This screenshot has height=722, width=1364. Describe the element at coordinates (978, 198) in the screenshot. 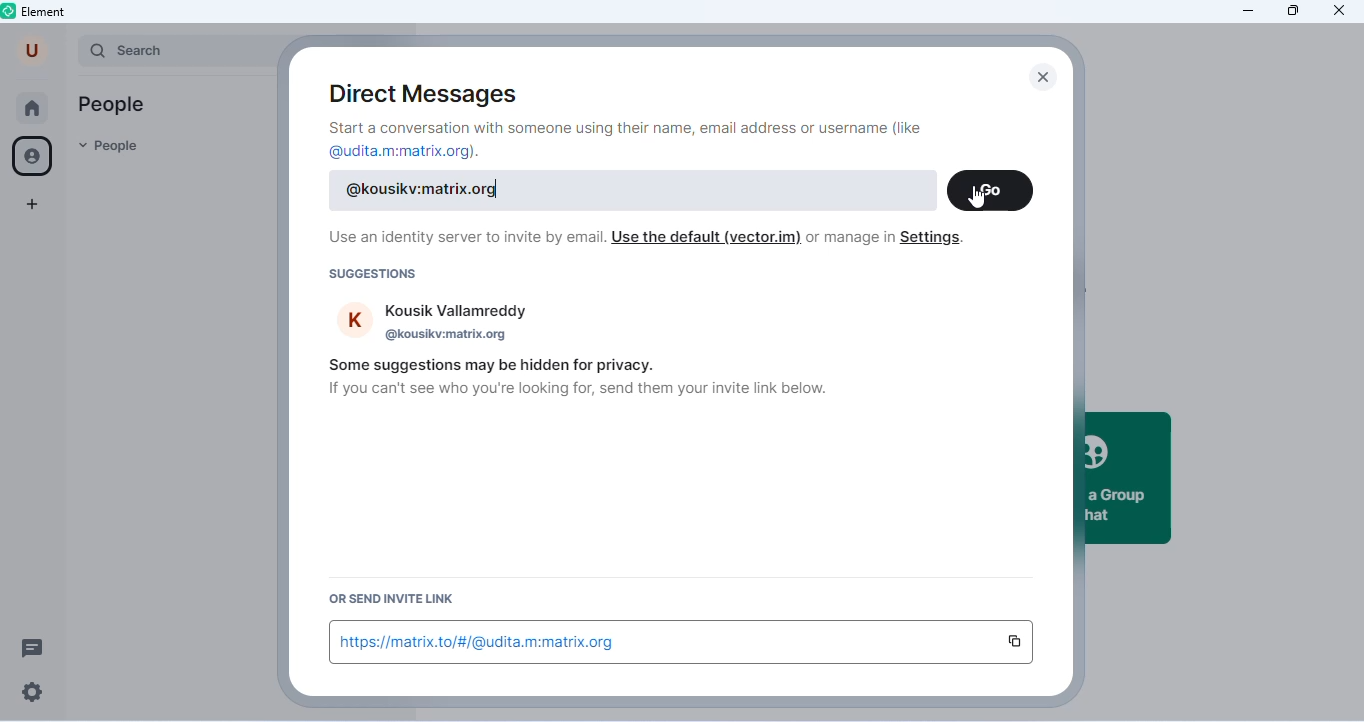

I see `cursor ` at that location.